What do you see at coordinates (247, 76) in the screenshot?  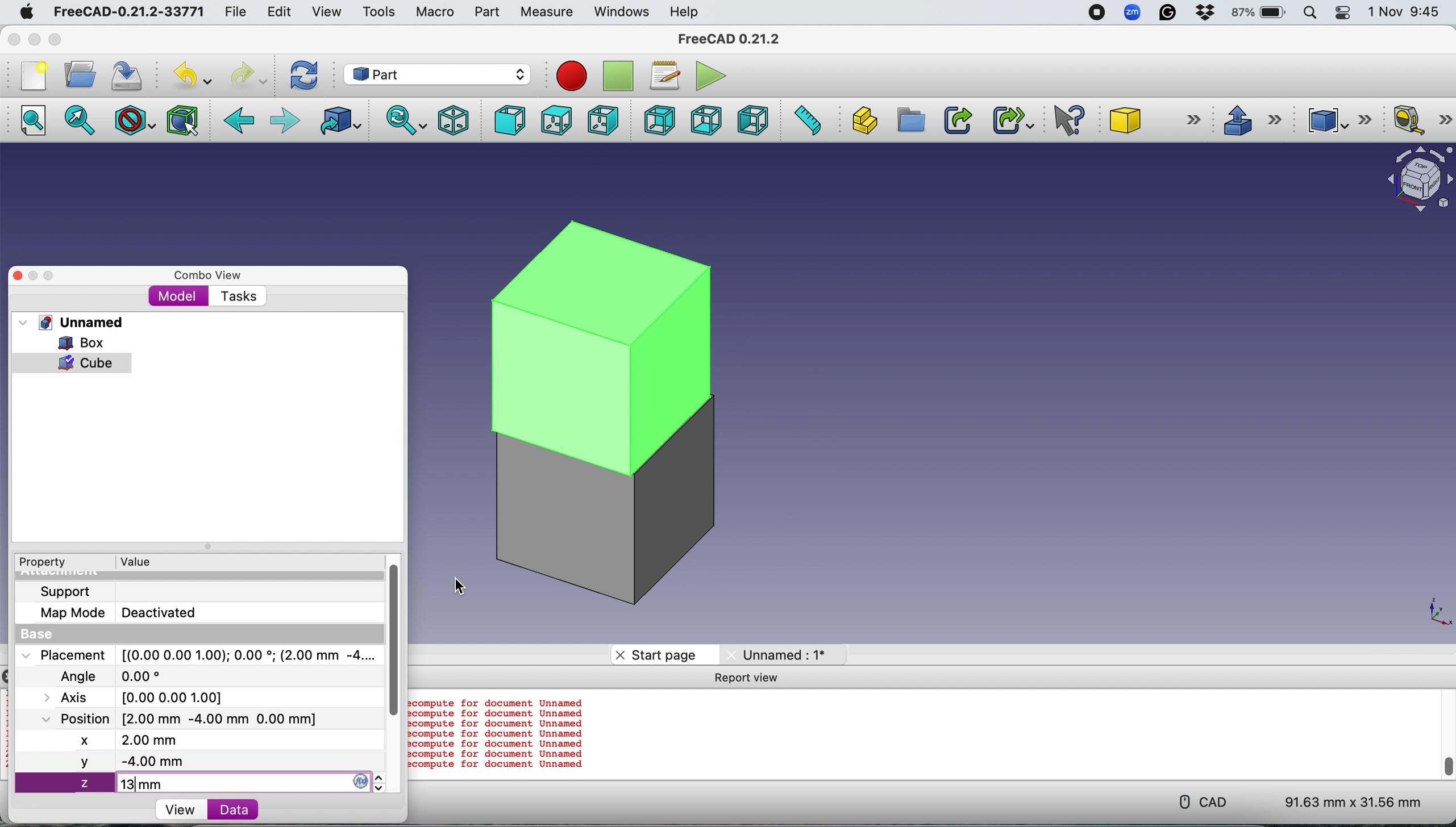 I see `Redo` at bounding box center [247, 76].